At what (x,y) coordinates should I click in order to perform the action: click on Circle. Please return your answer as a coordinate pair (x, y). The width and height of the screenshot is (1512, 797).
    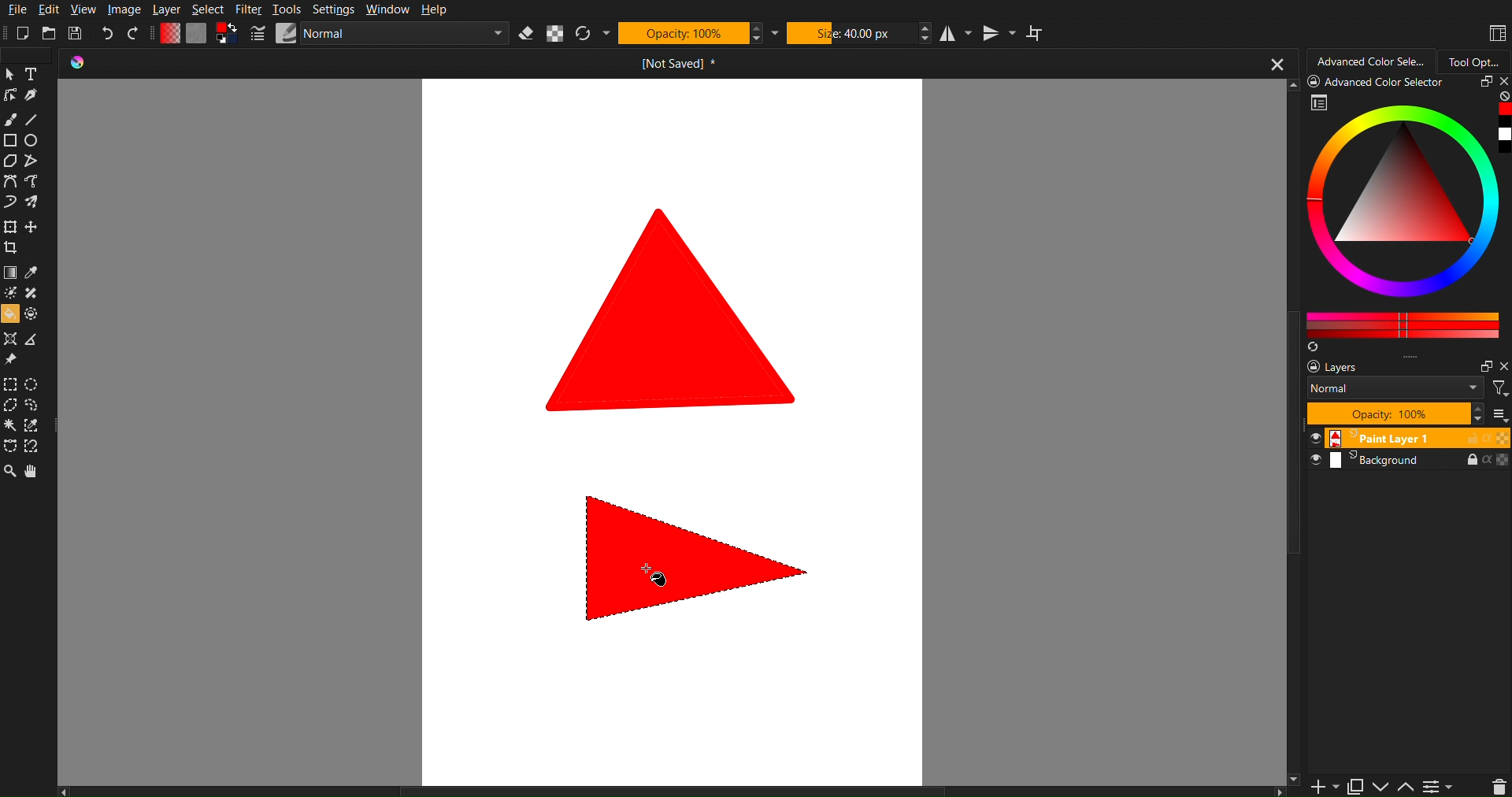
    Looking at the image, I should click on (33, 141).